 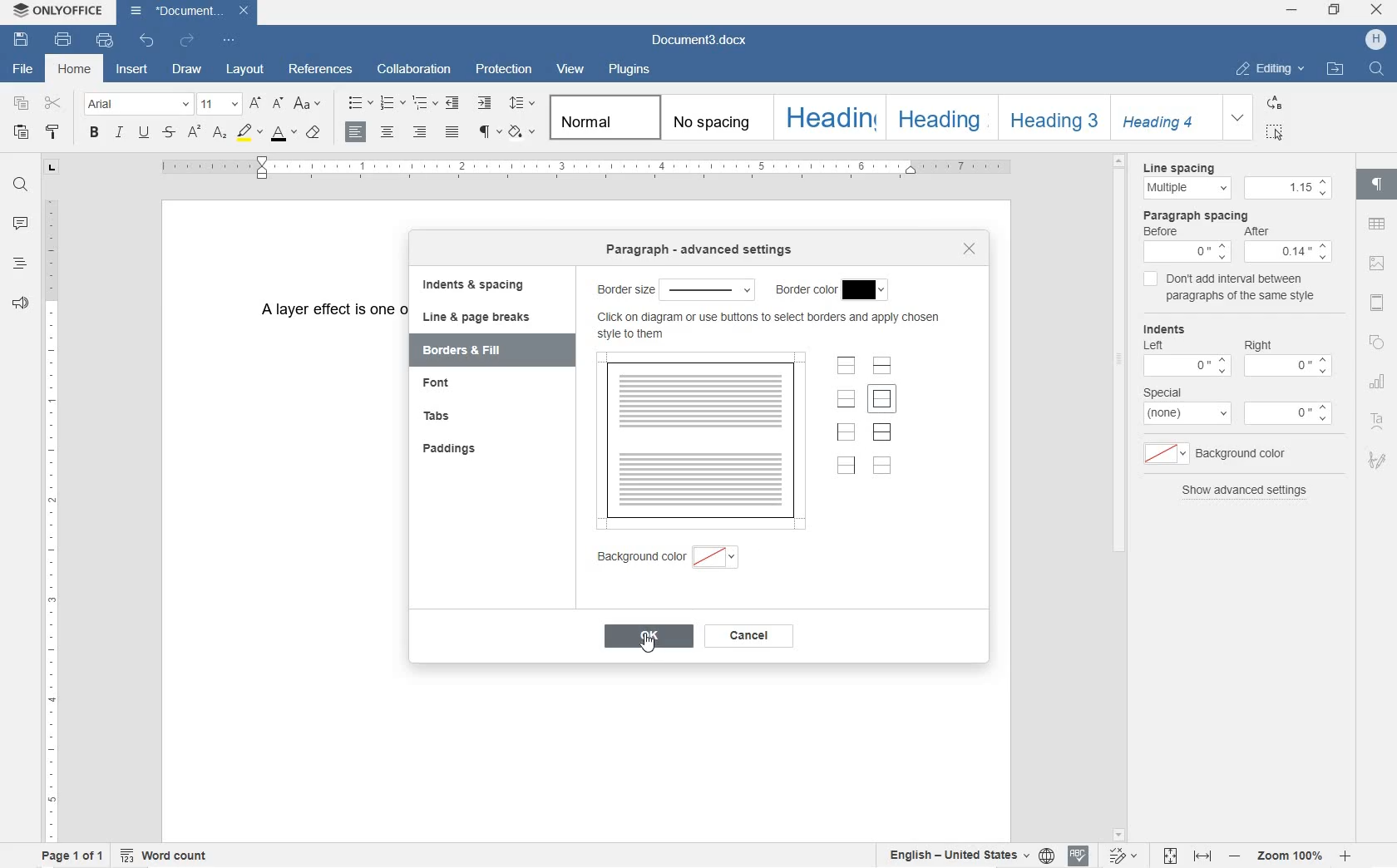 I want to click on INCREMENT FONT SIZE, so click(x=255, y=104).